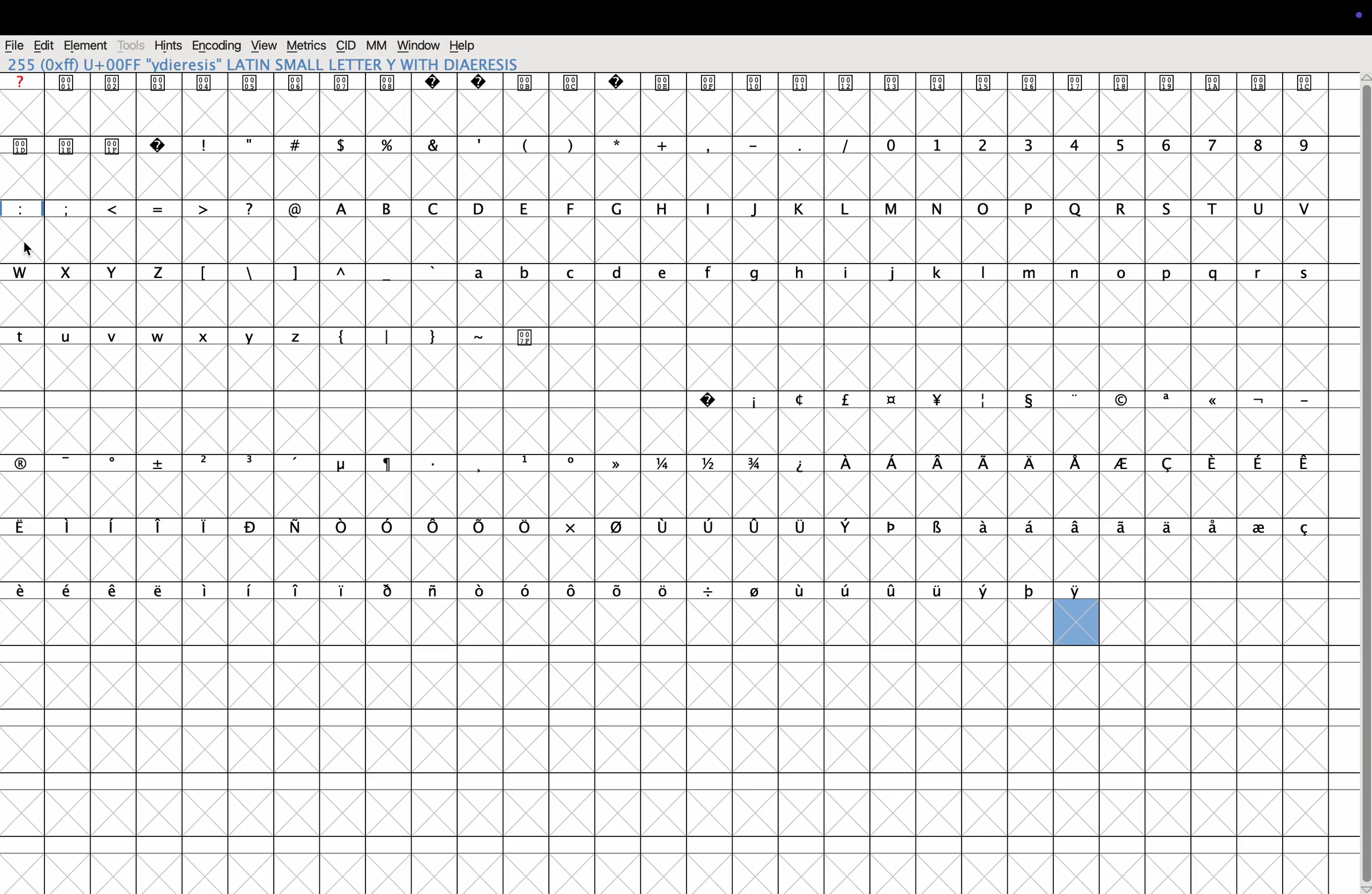  Describe the element at coordinates (205, 287) in the screenshot. I see `[` at that location.